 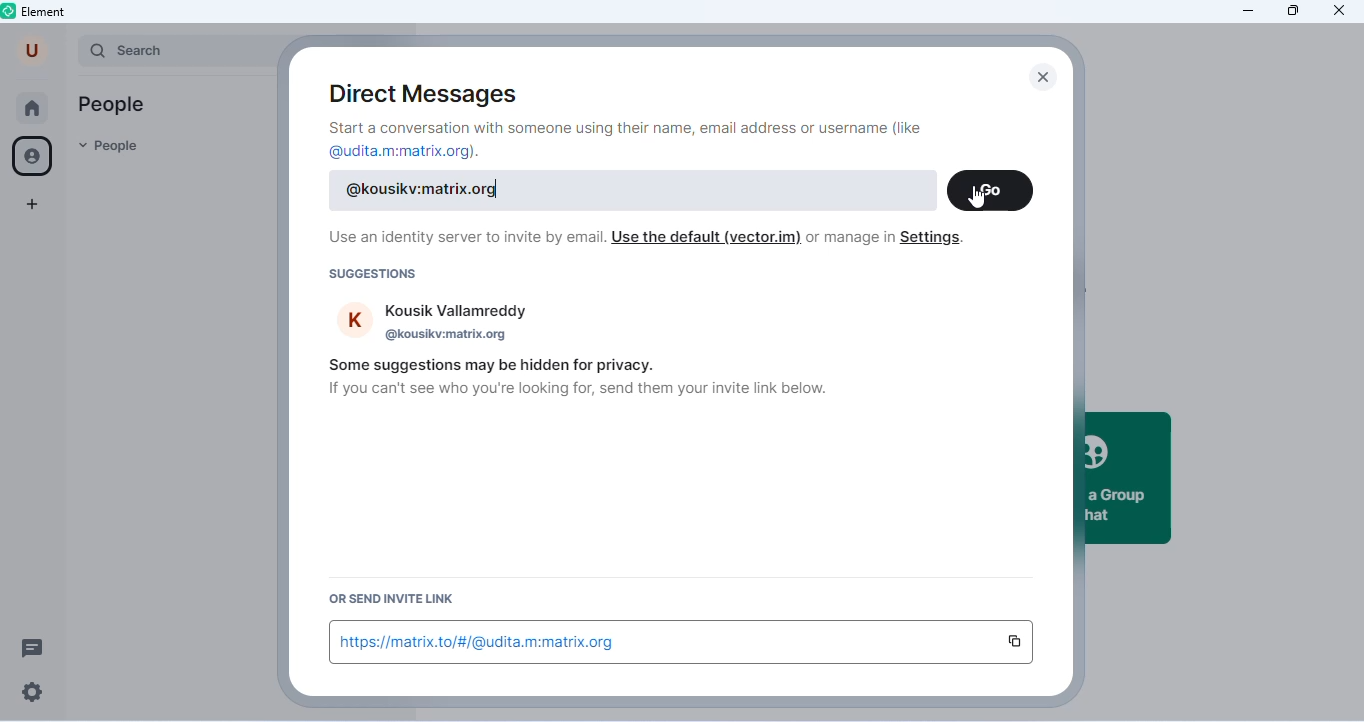 What do you see at coordinates (431, 94) in the screenshot?
I see `direct messages` at bounding box center [431, 94].